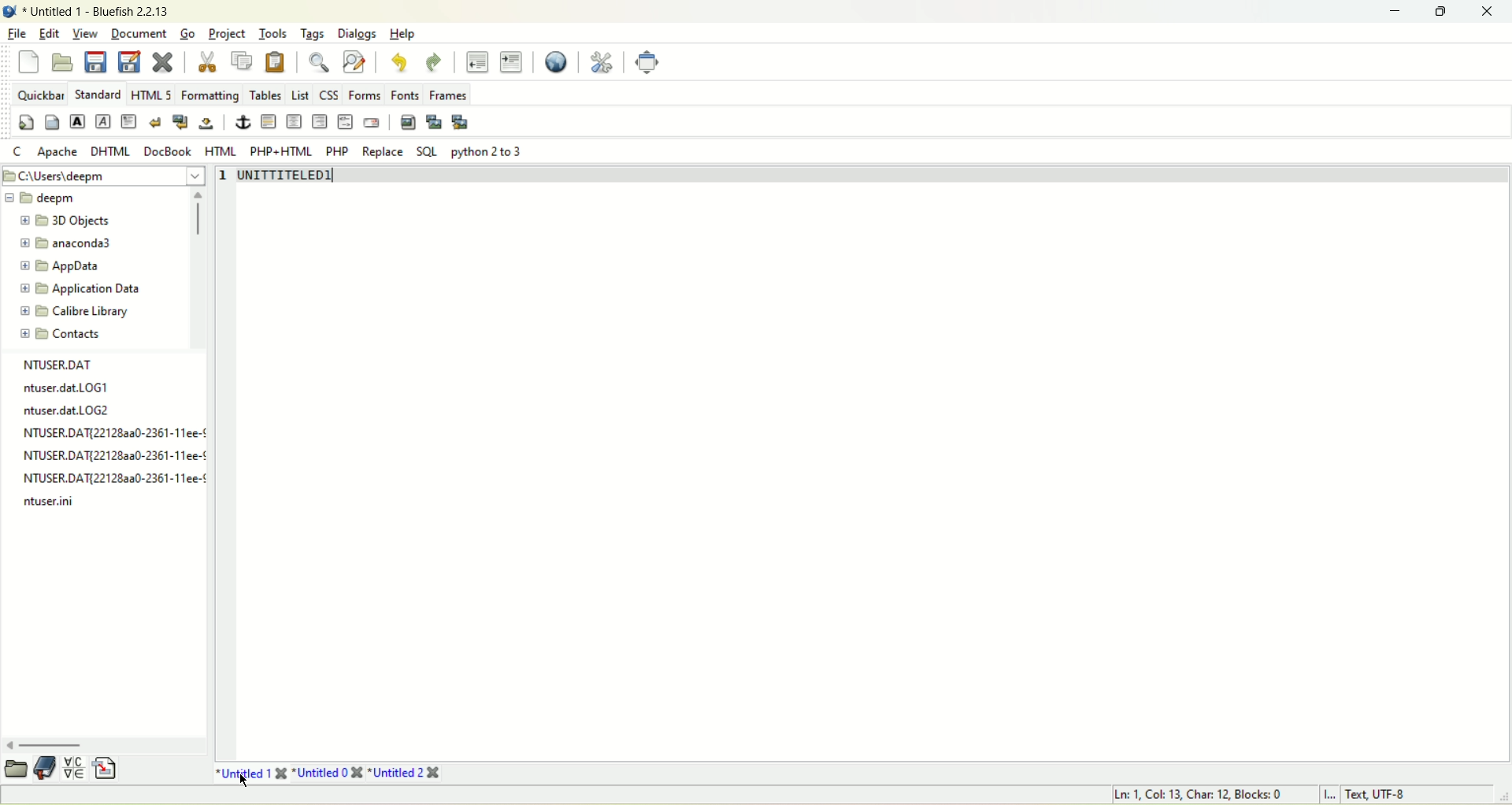  What do you see at coordinates (16, 770) in the screenshot?
I see `open ` at bounding box center [16, 770].